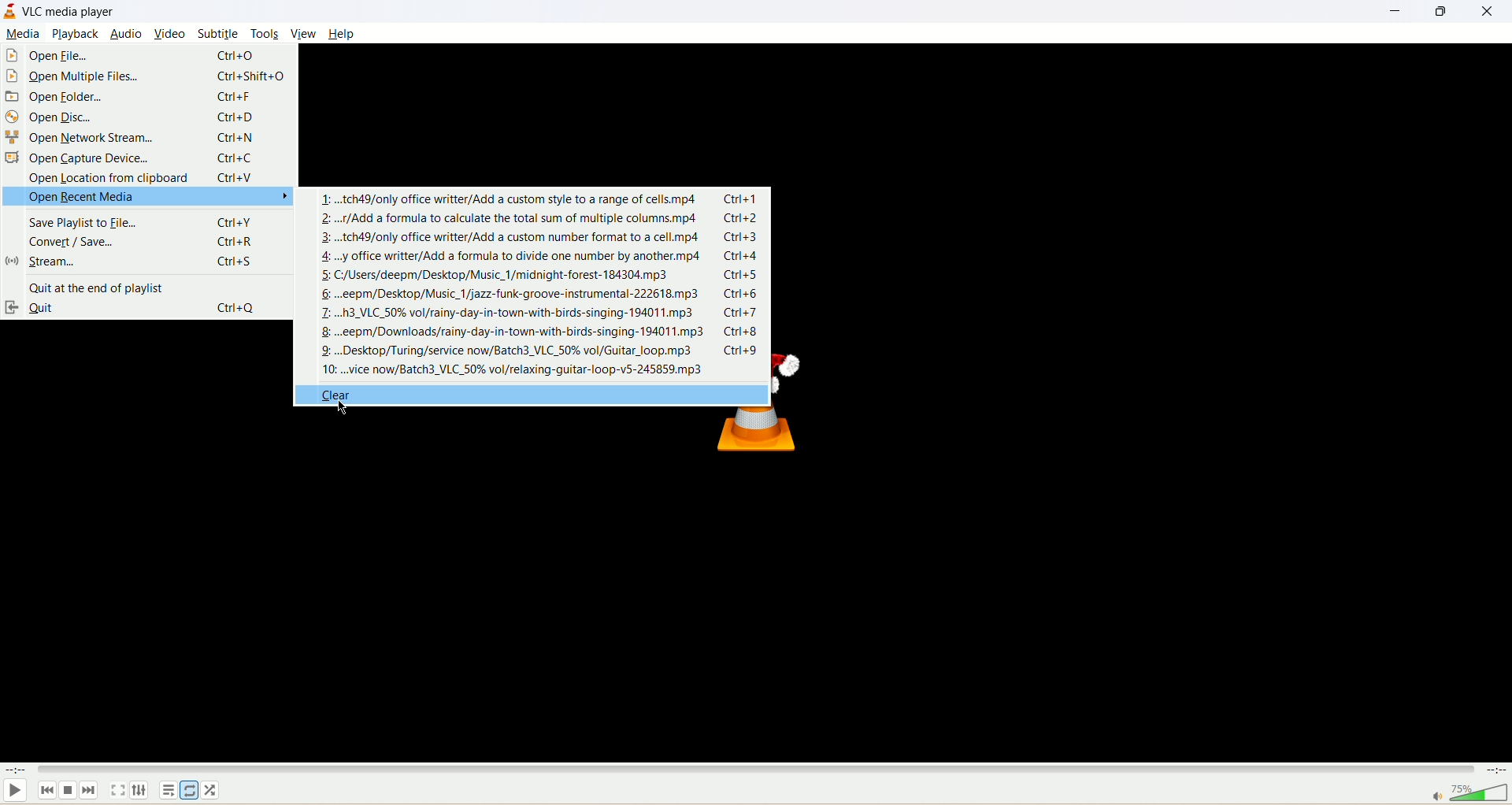 The image size is (1512, 805). I want to click on quit at the end of playlist, so click(105, 286).